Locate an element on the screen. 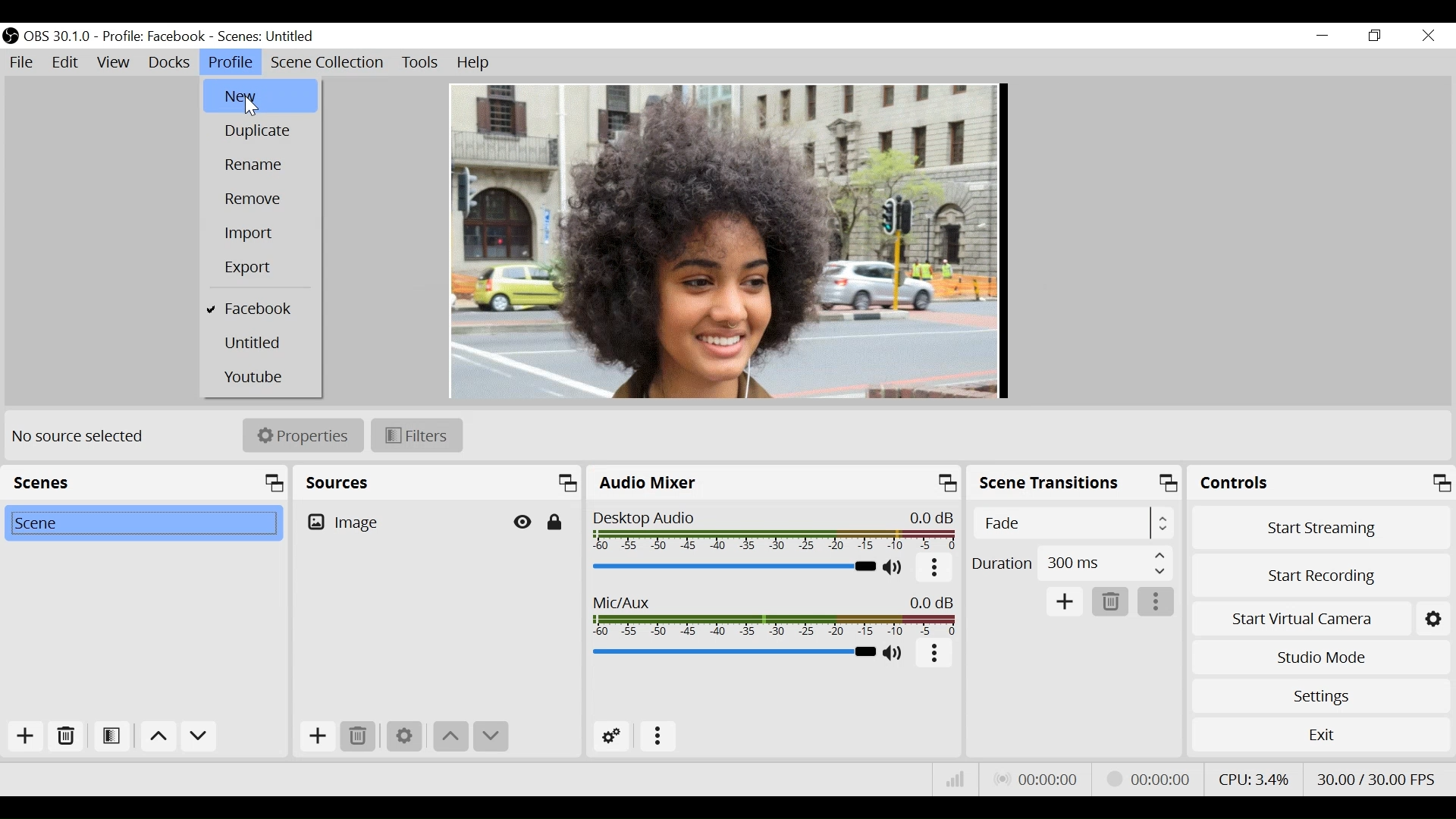  Cursor is located at coordinates (252, 106).